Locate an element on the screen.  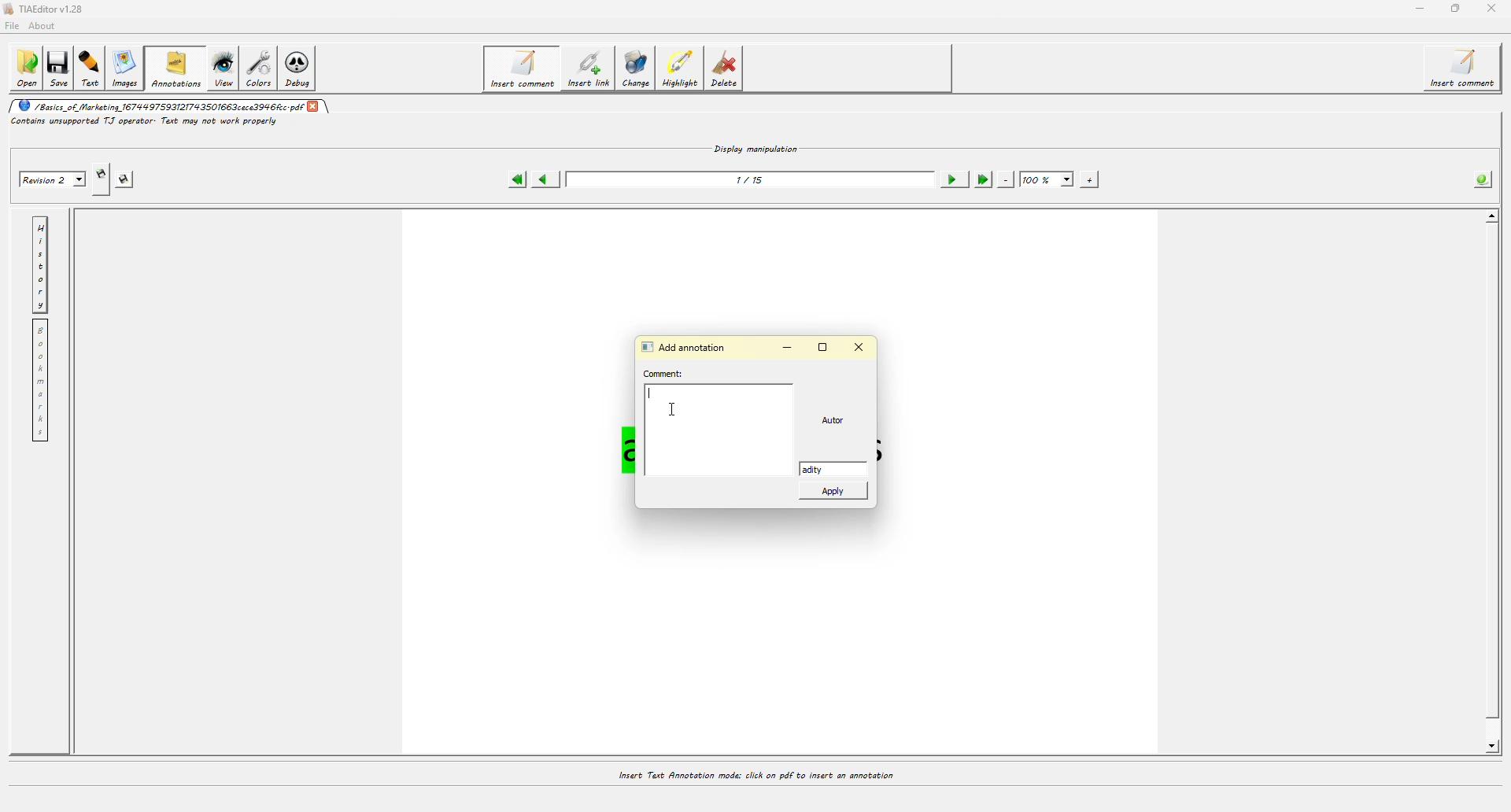
comment: is located at coordinates (667, 374).